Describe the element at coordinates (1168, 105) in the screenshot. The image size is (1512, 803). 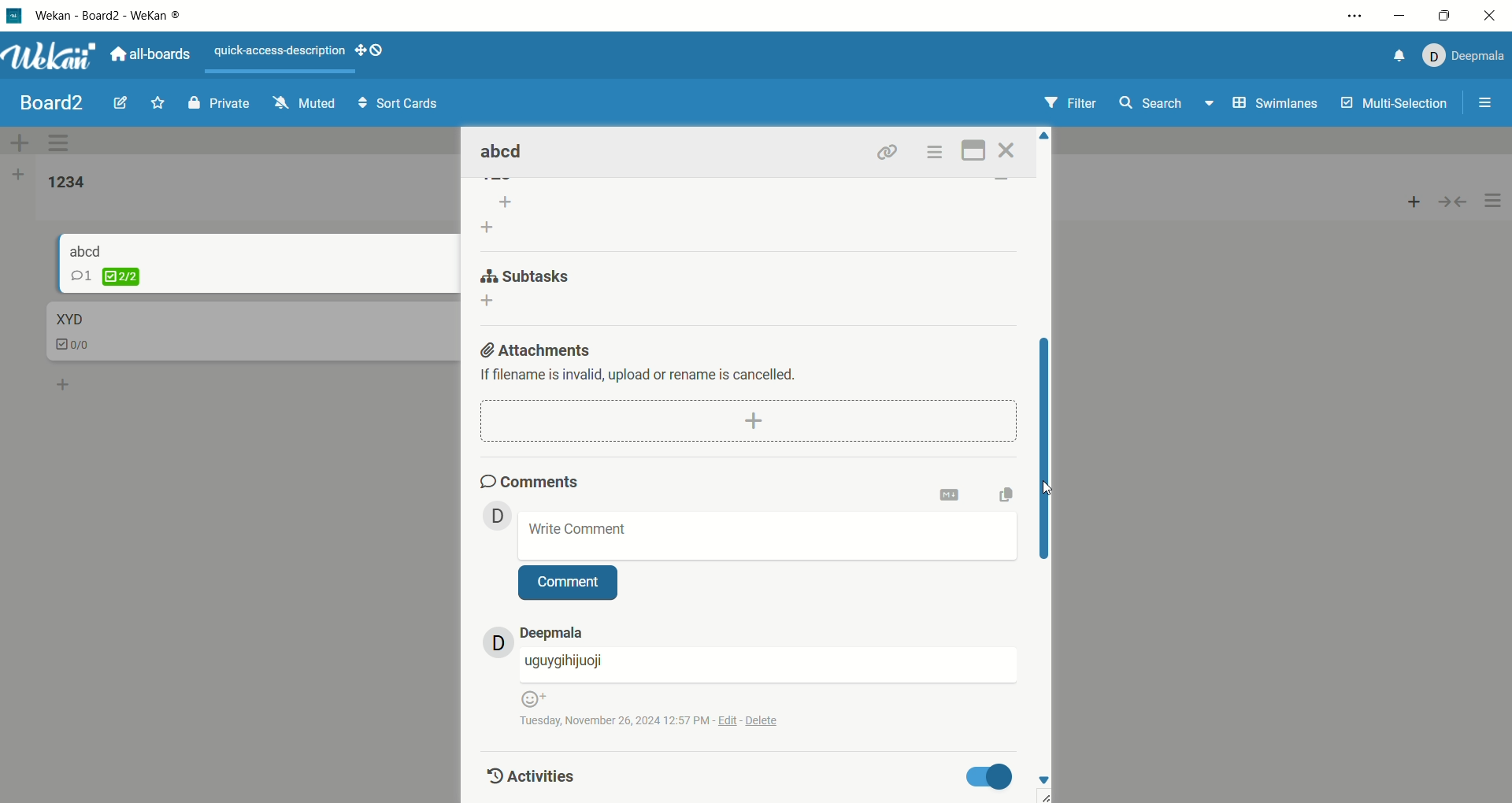
I see `search` at that location.